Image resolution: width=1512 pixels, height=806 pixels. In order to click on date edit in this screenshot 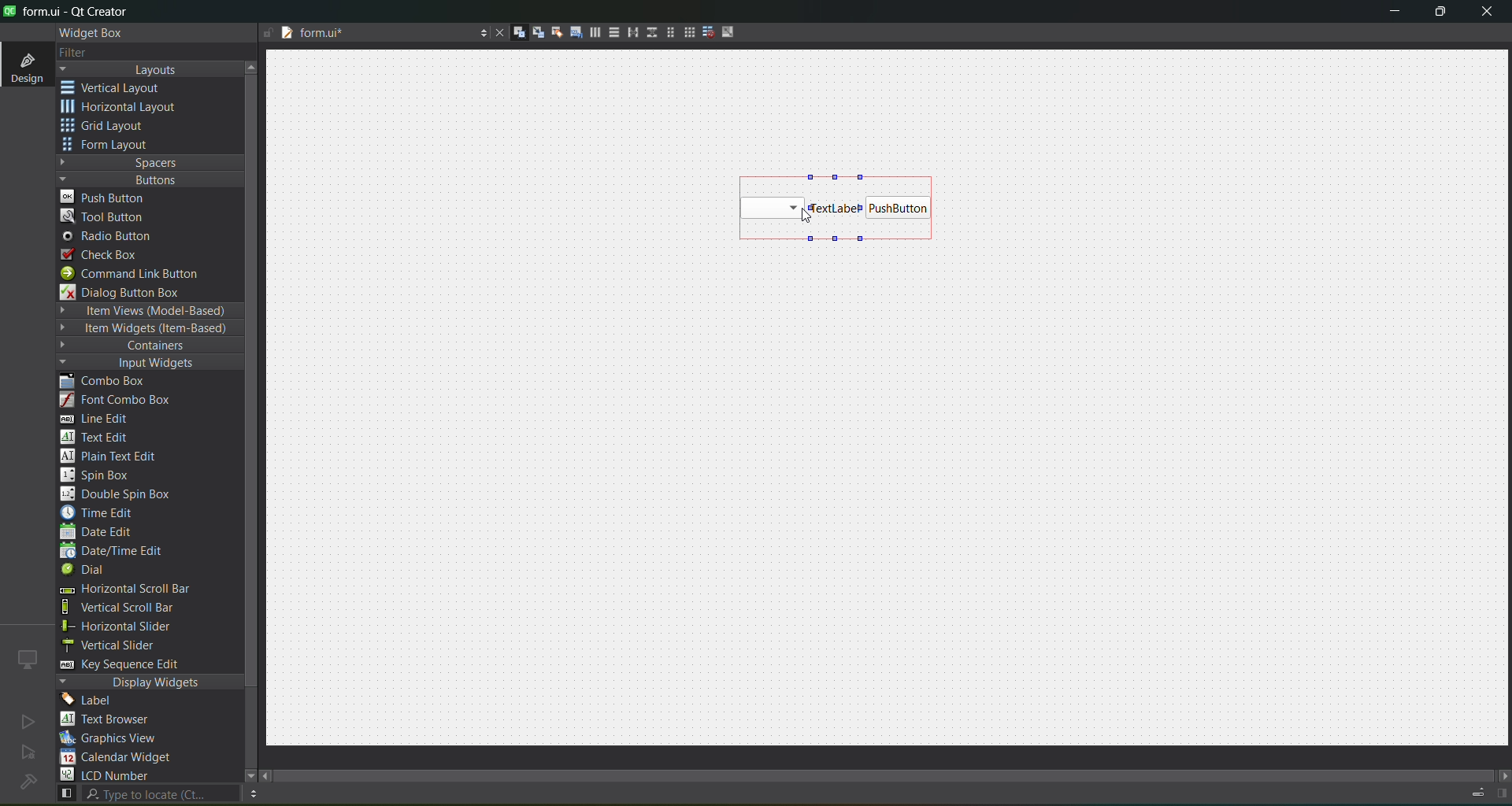, I will do `click(100, 533)`.